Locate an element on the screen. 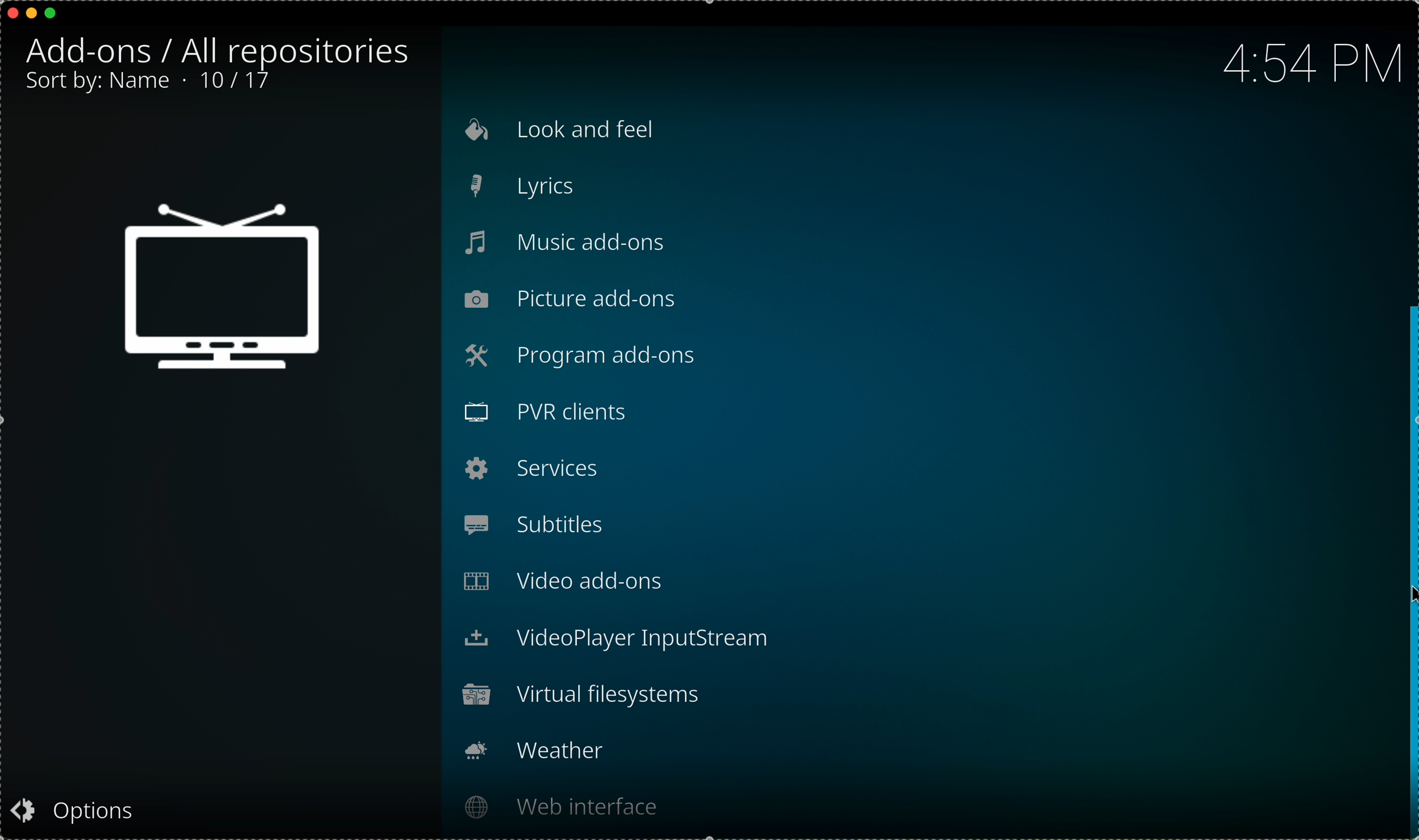  hour is located at coordinates (1310, 61).